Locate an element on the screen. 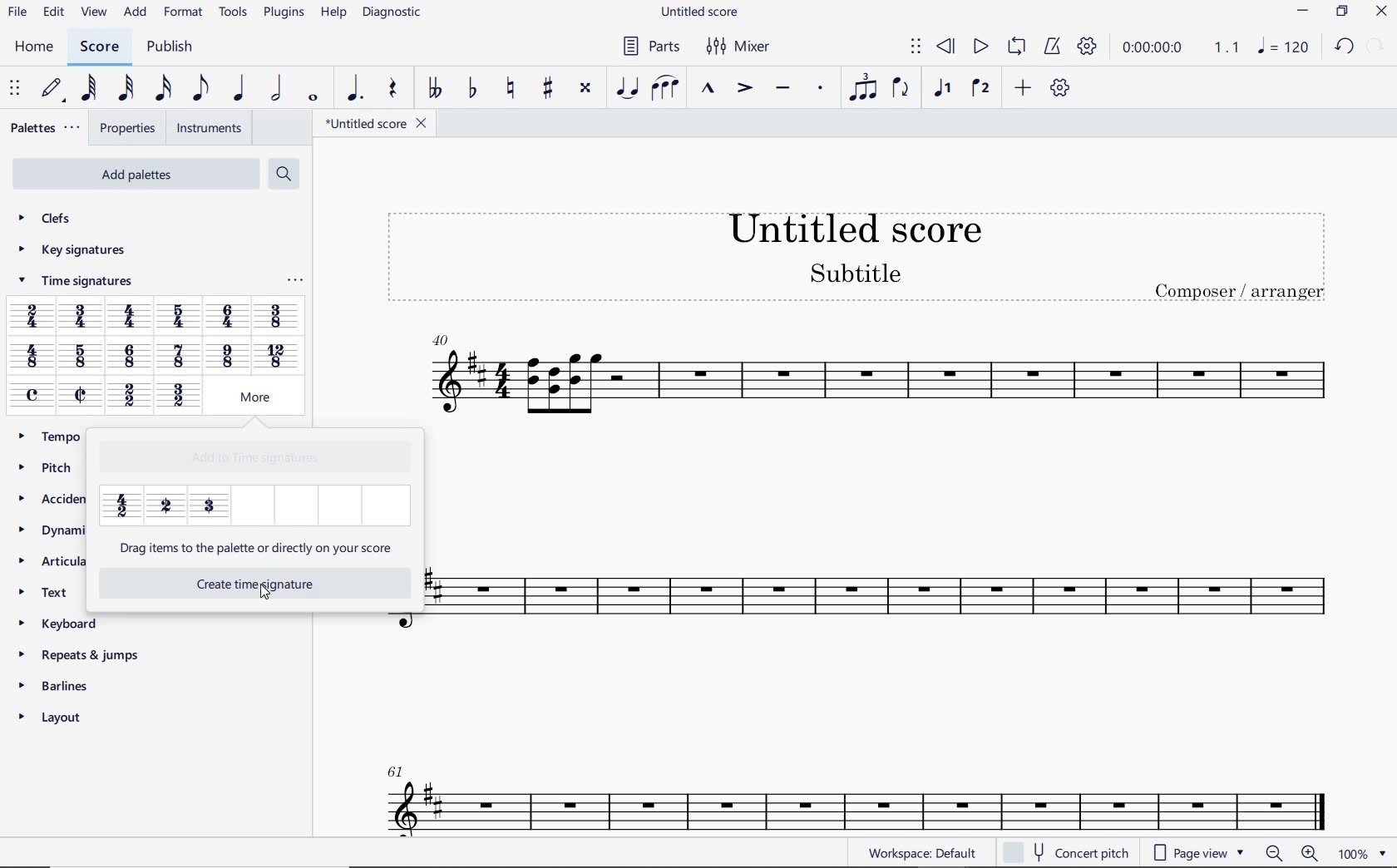 The image size is (1397, 868). SLUR is located at coordinates (664, 88).